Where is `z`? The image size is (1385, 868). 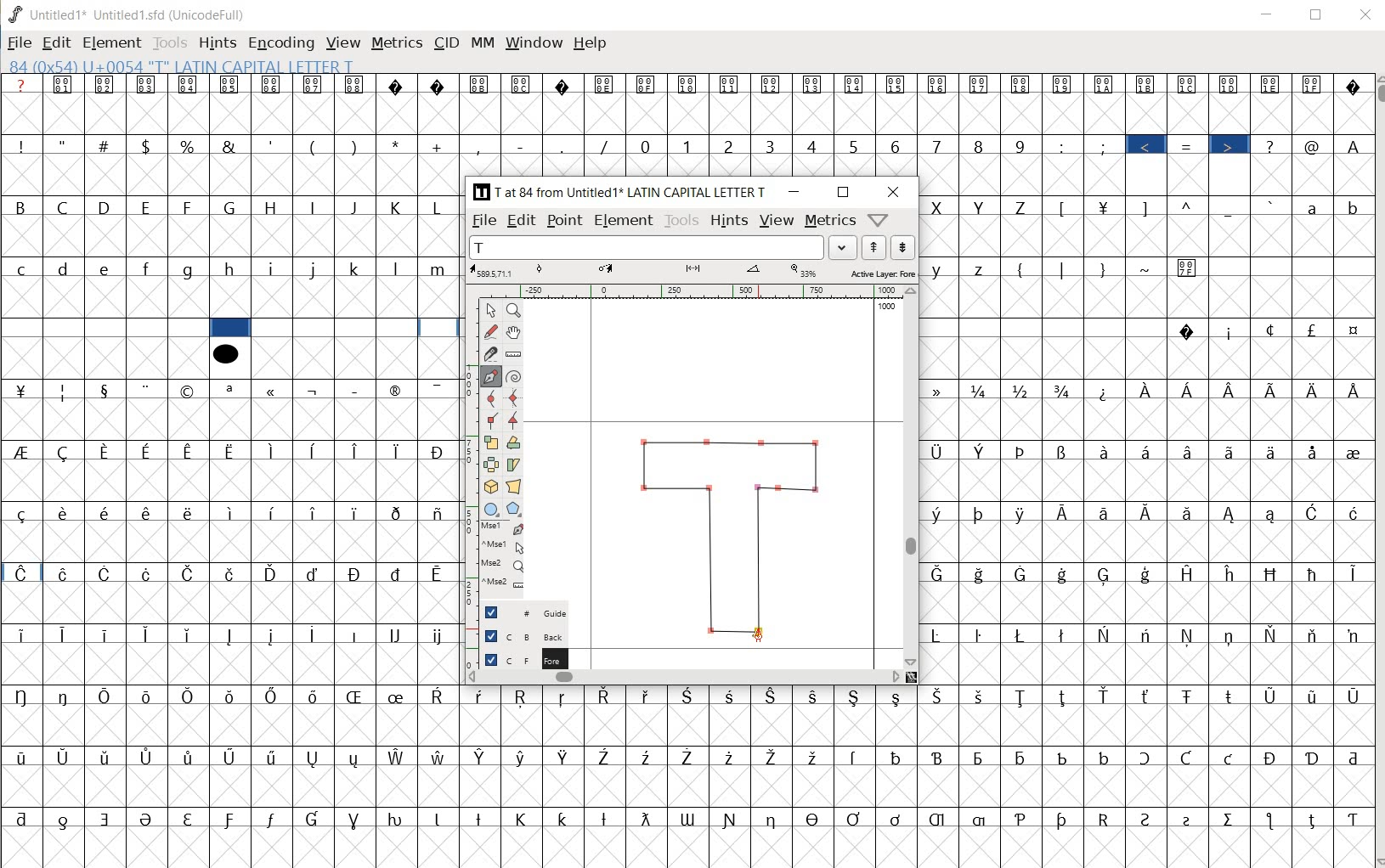
z is located at coordinates (981, 269).